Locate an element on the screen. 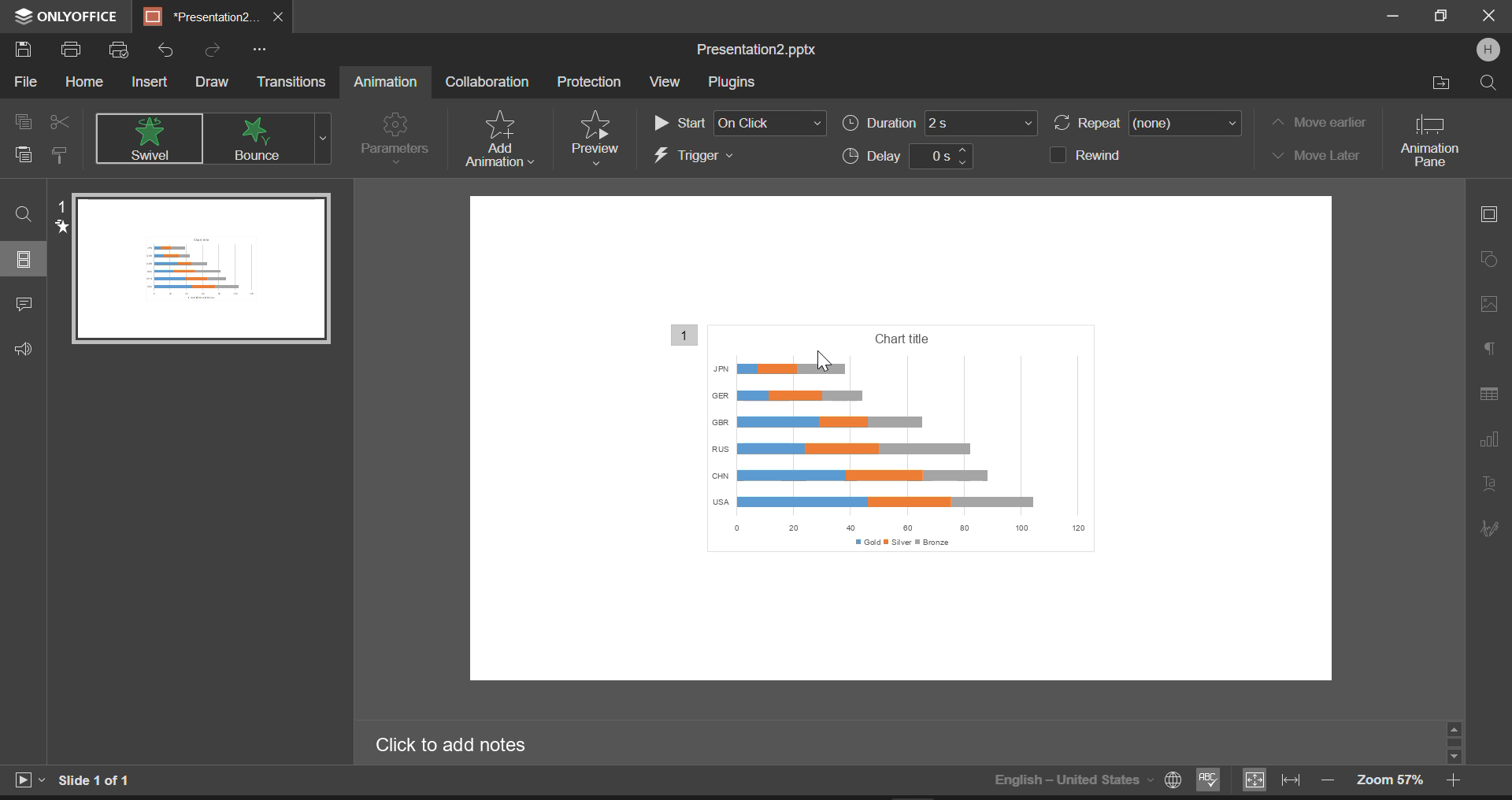  Cursor Position AFTER_LAST_ACTION is located at coordinates (822, 361).